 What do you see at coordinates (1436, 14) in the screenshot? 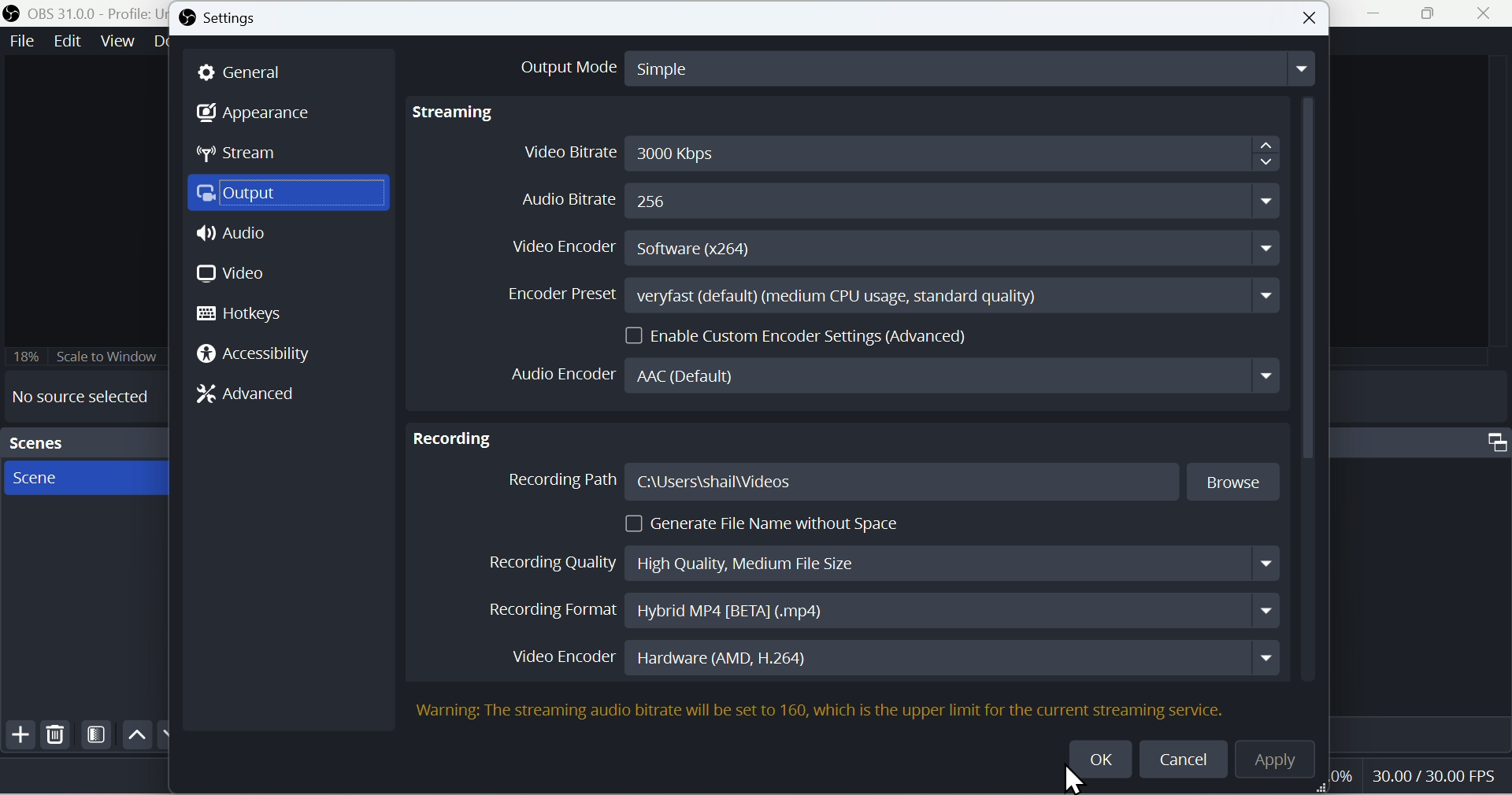
I see `Maximise` at bounding box center [1436, 14].